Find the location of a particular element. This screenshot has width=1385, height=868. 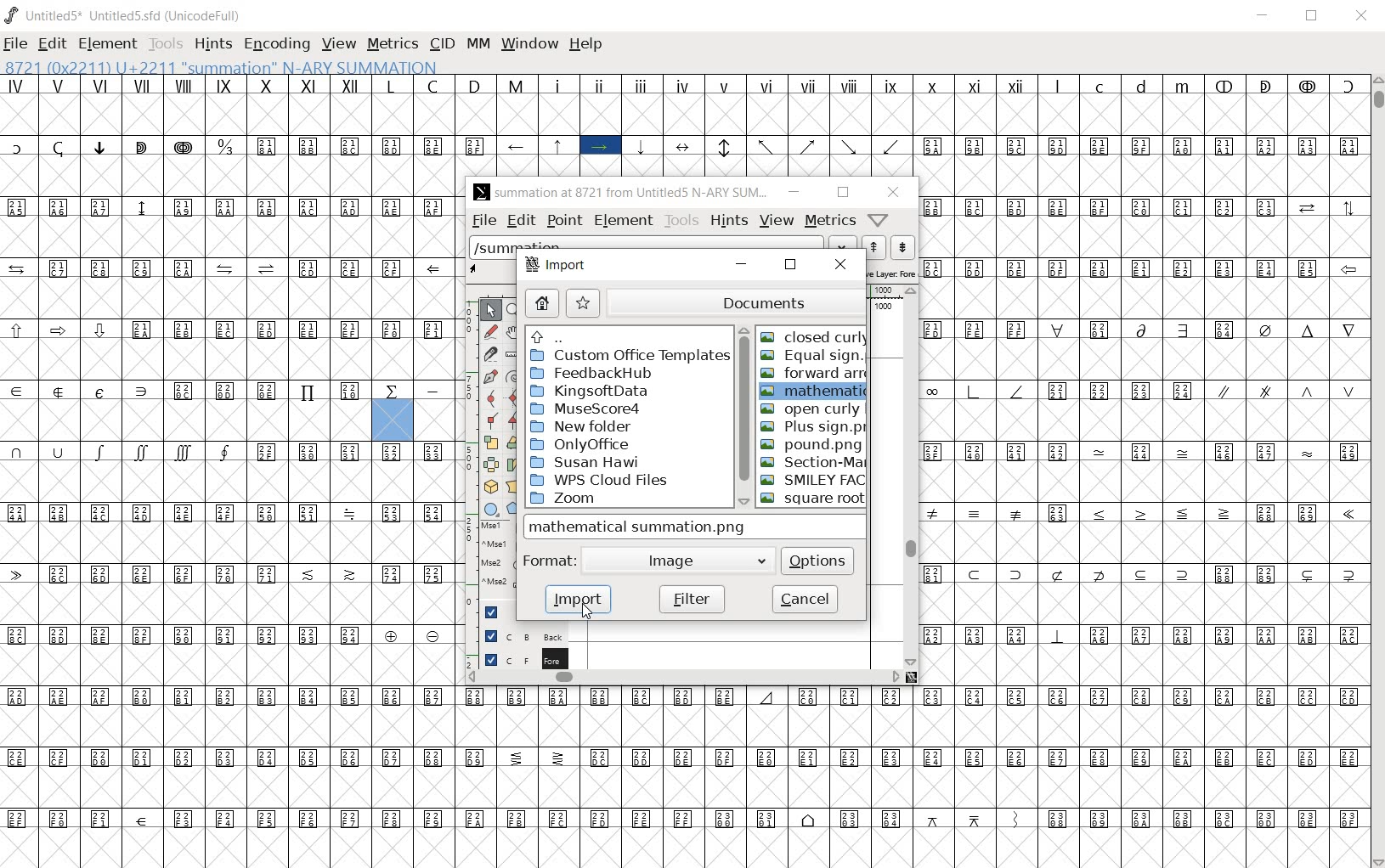

view is located at coordinates (776, 219).